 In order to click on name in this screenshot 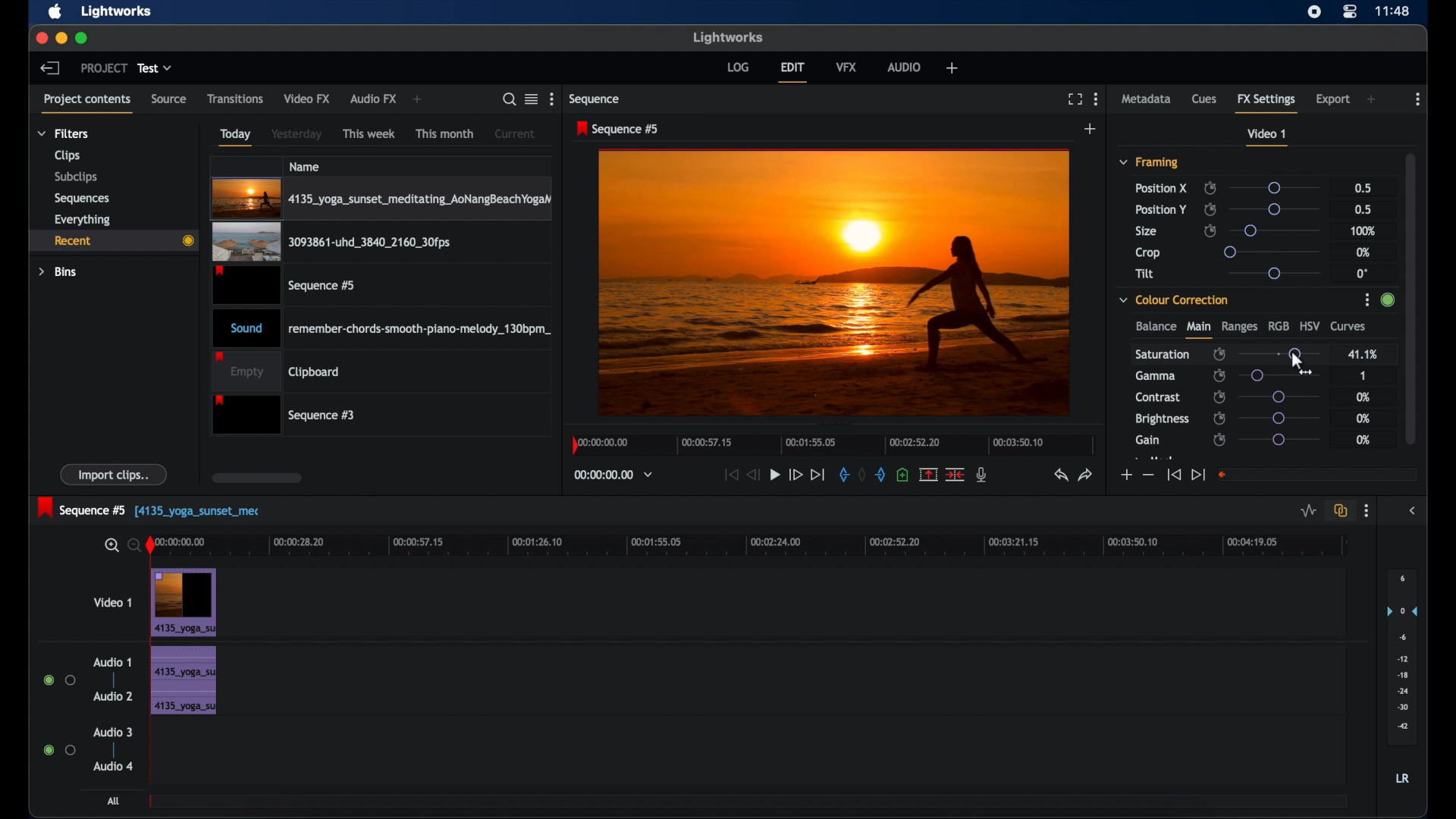, I will do `click(306, 166)`.